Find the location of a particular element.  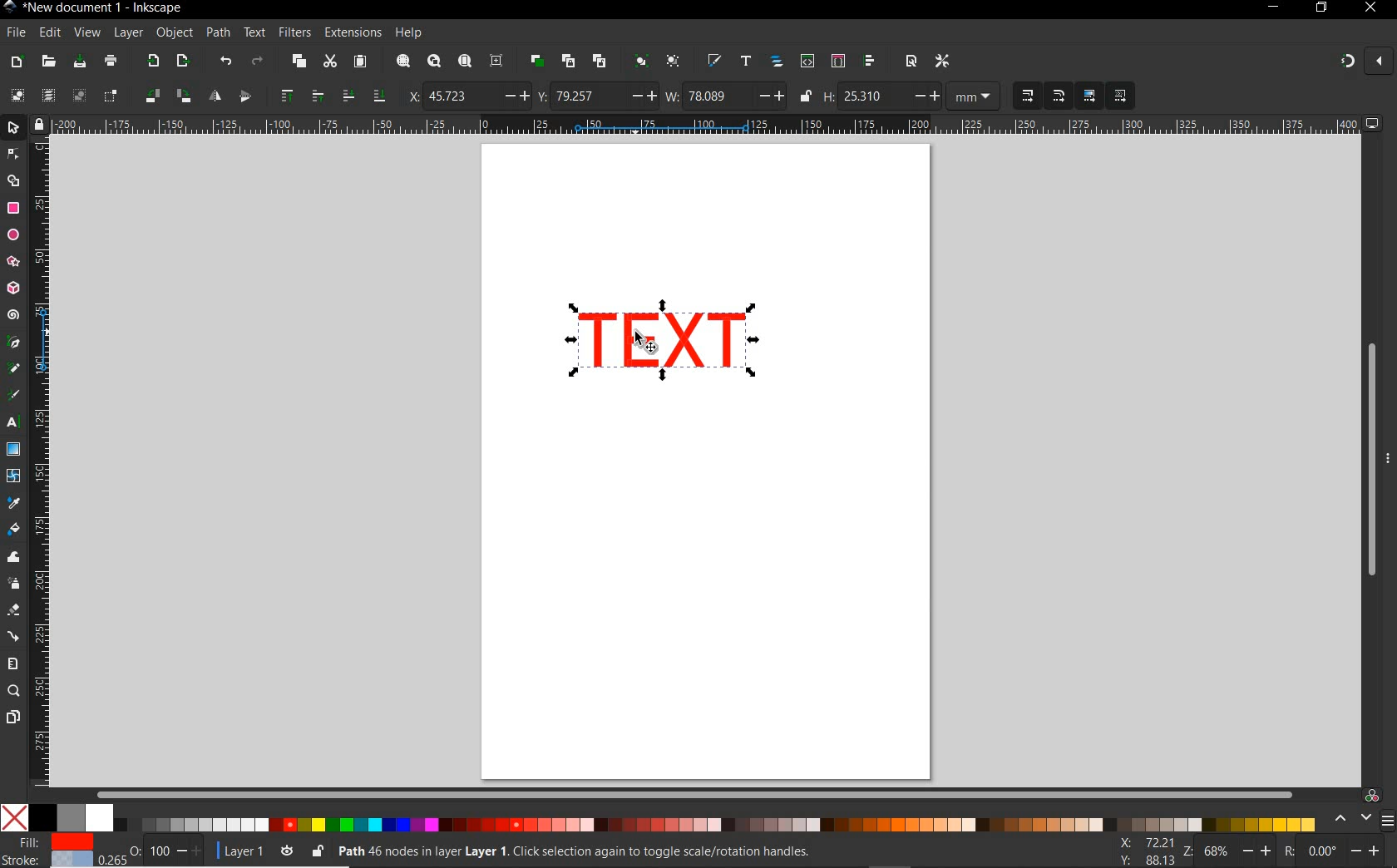

MOVE PATTERNS is located at coordinates (1119, 96).